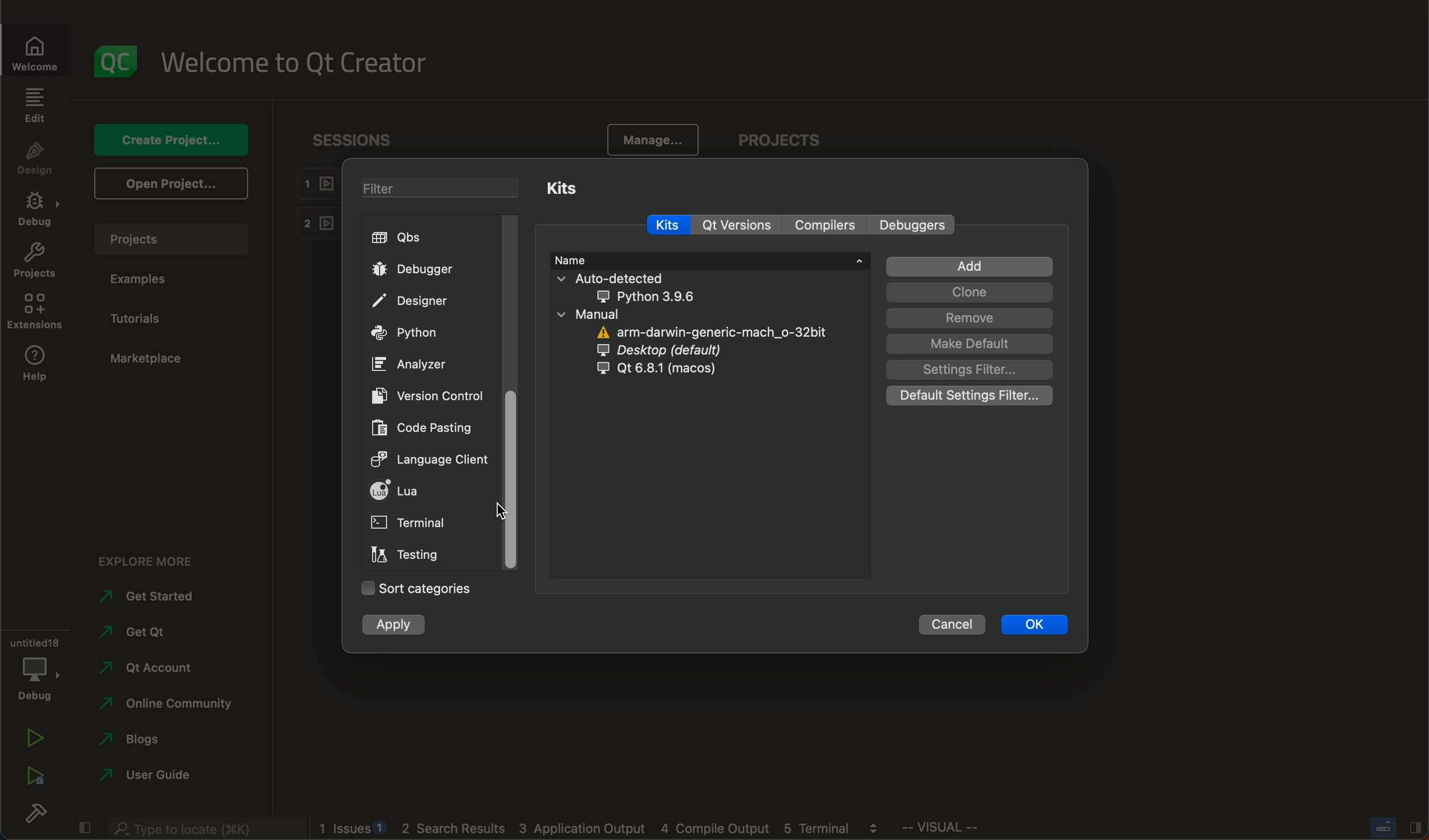 The image size is (1429, 840). Describe the element at coordinates (566, 188) in the screenshot. I see `kits` at that location.